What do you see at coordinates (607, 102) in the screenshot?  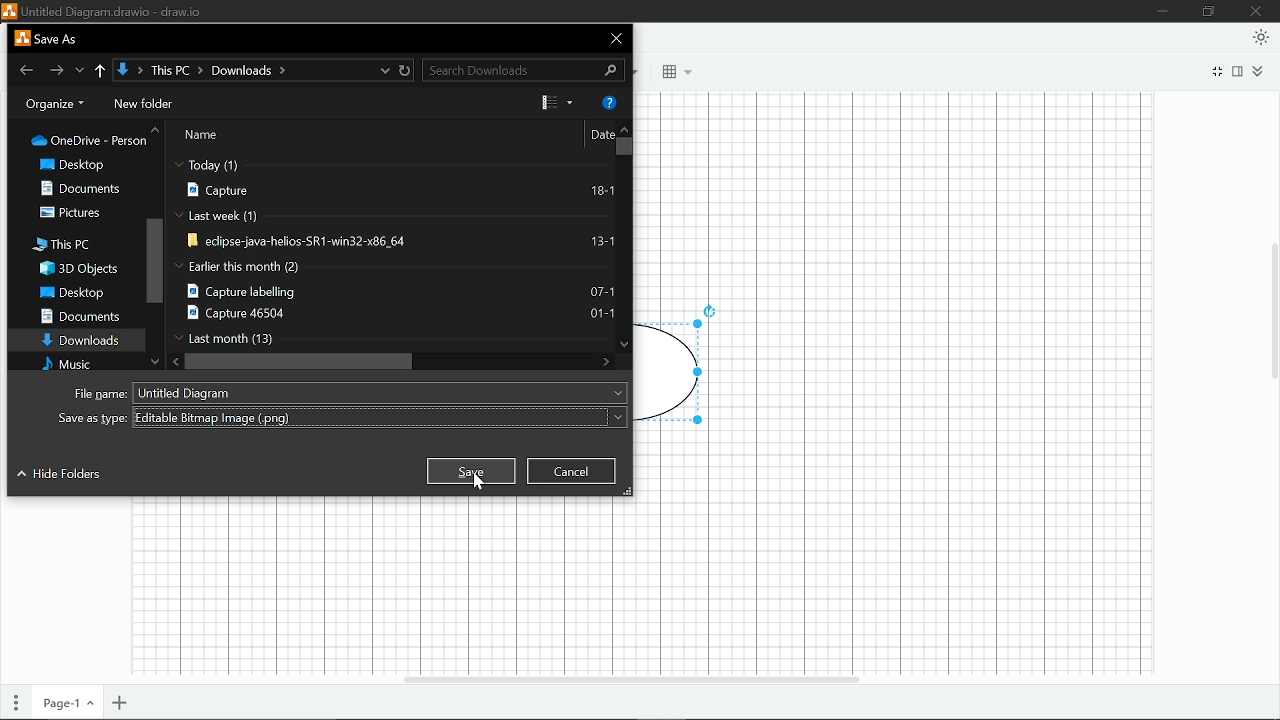 I see `Help` at bounding box center [607, 102].